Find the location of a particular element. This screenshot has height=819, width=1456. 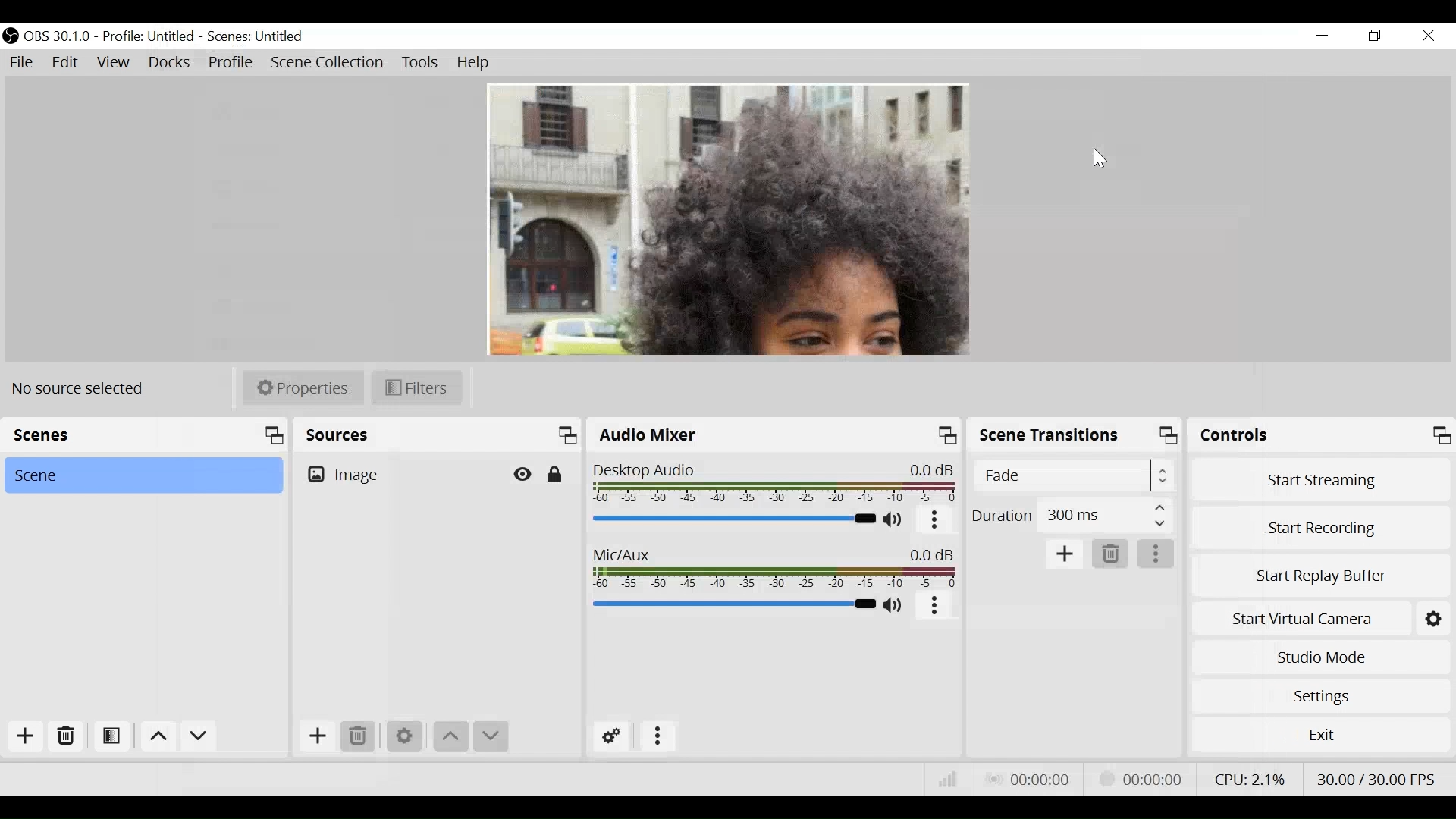

Profile: Untitled - Scenes: Untitled is located at coordinates (208, 37).